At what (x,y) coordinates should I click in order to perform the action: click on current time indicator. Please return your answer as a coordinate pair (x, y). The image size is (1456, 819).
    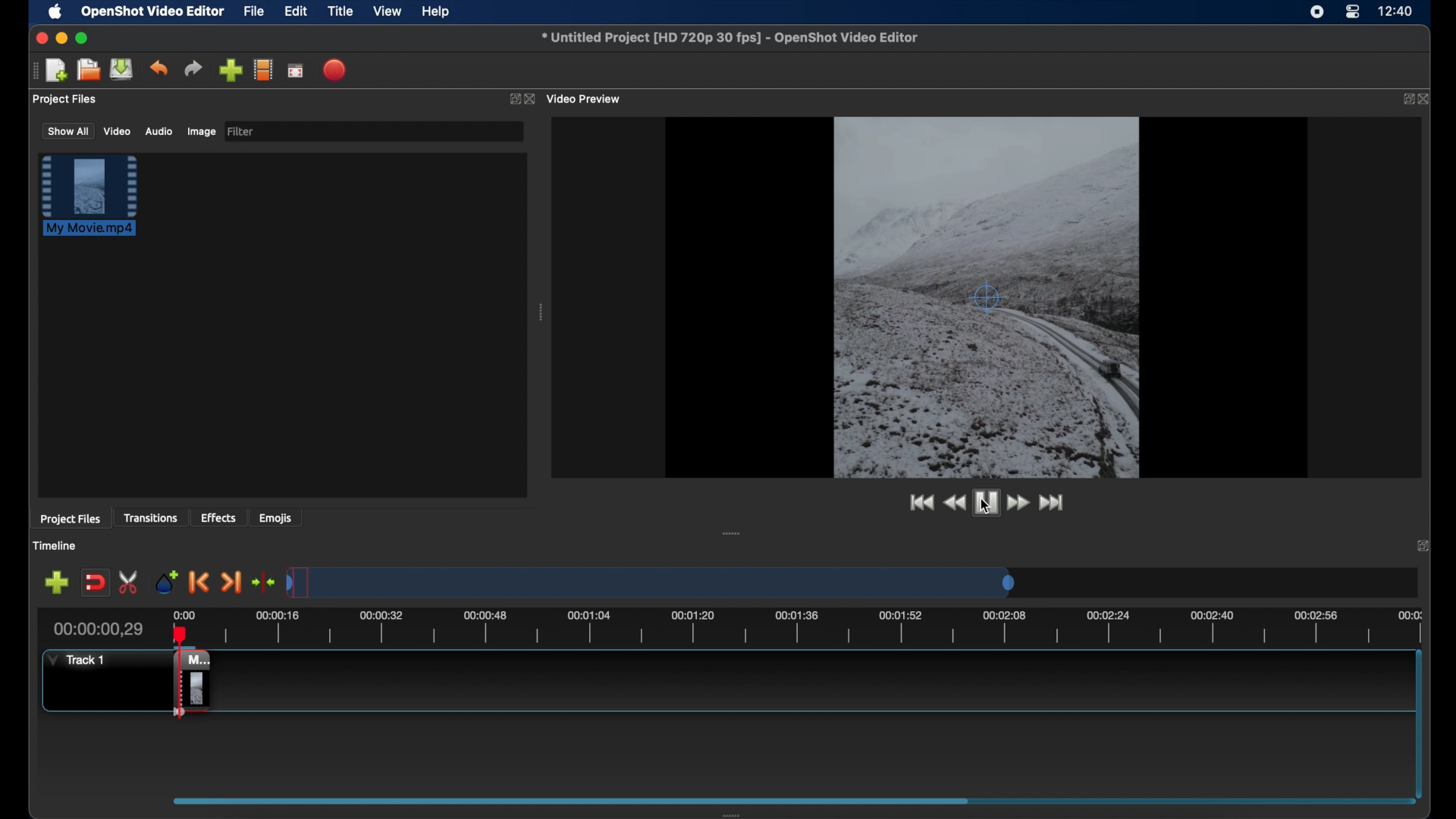
    Looking at the image, I should click on (99, 629).